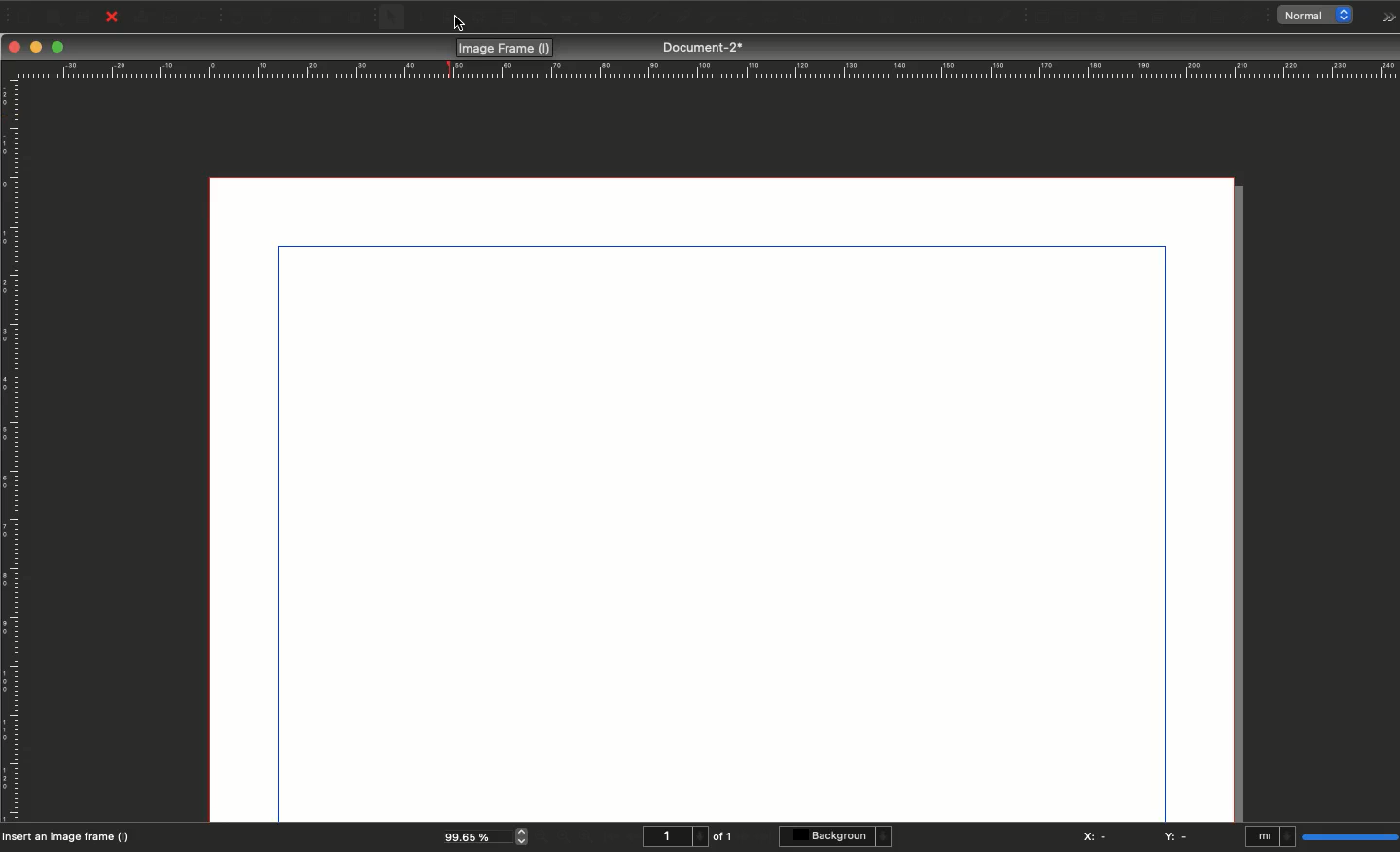  I want to click on Zoom in or out, so click(773, 19).